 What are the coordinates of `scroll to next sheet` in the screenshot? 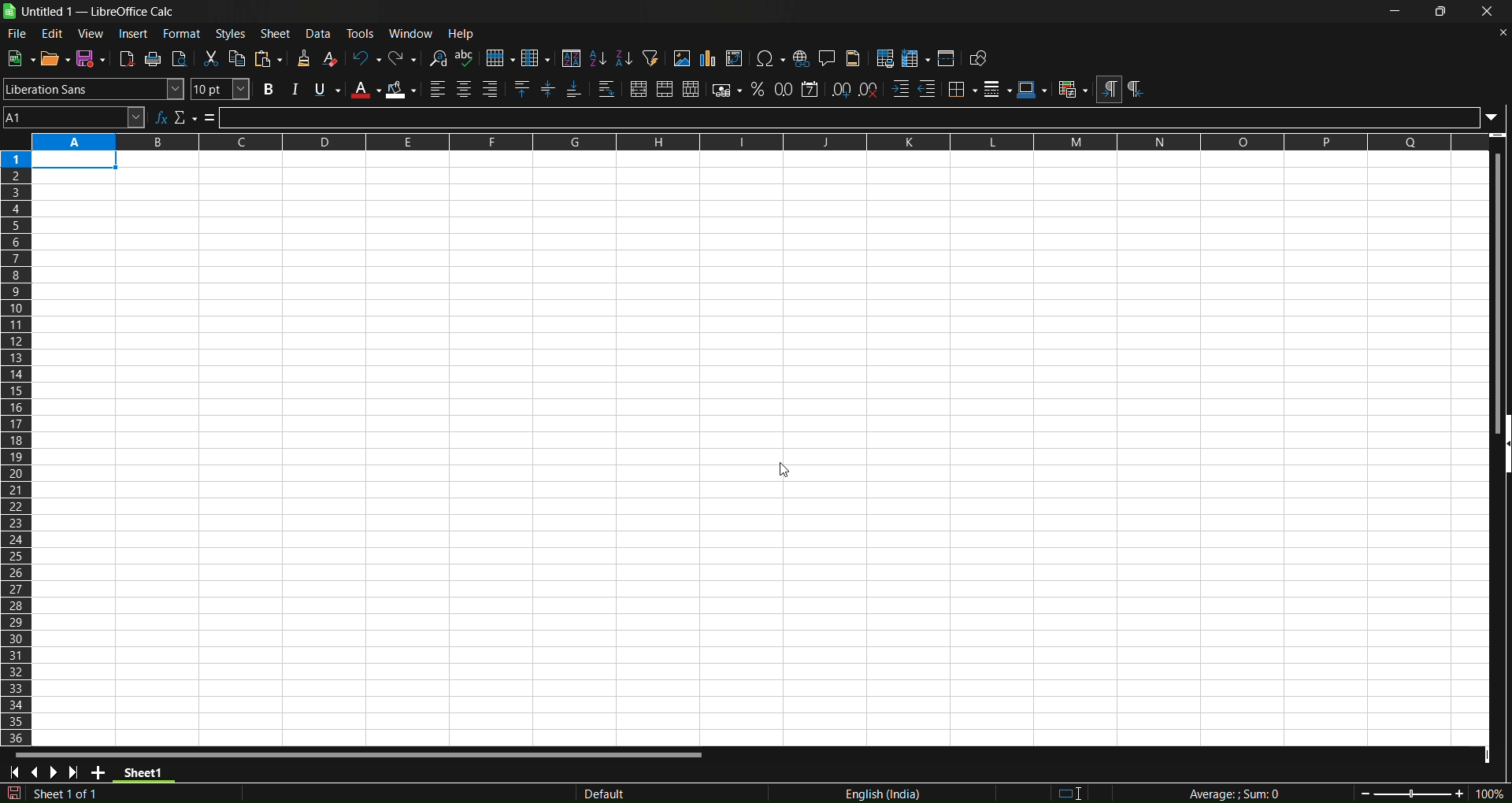 It's located at (54, 772).